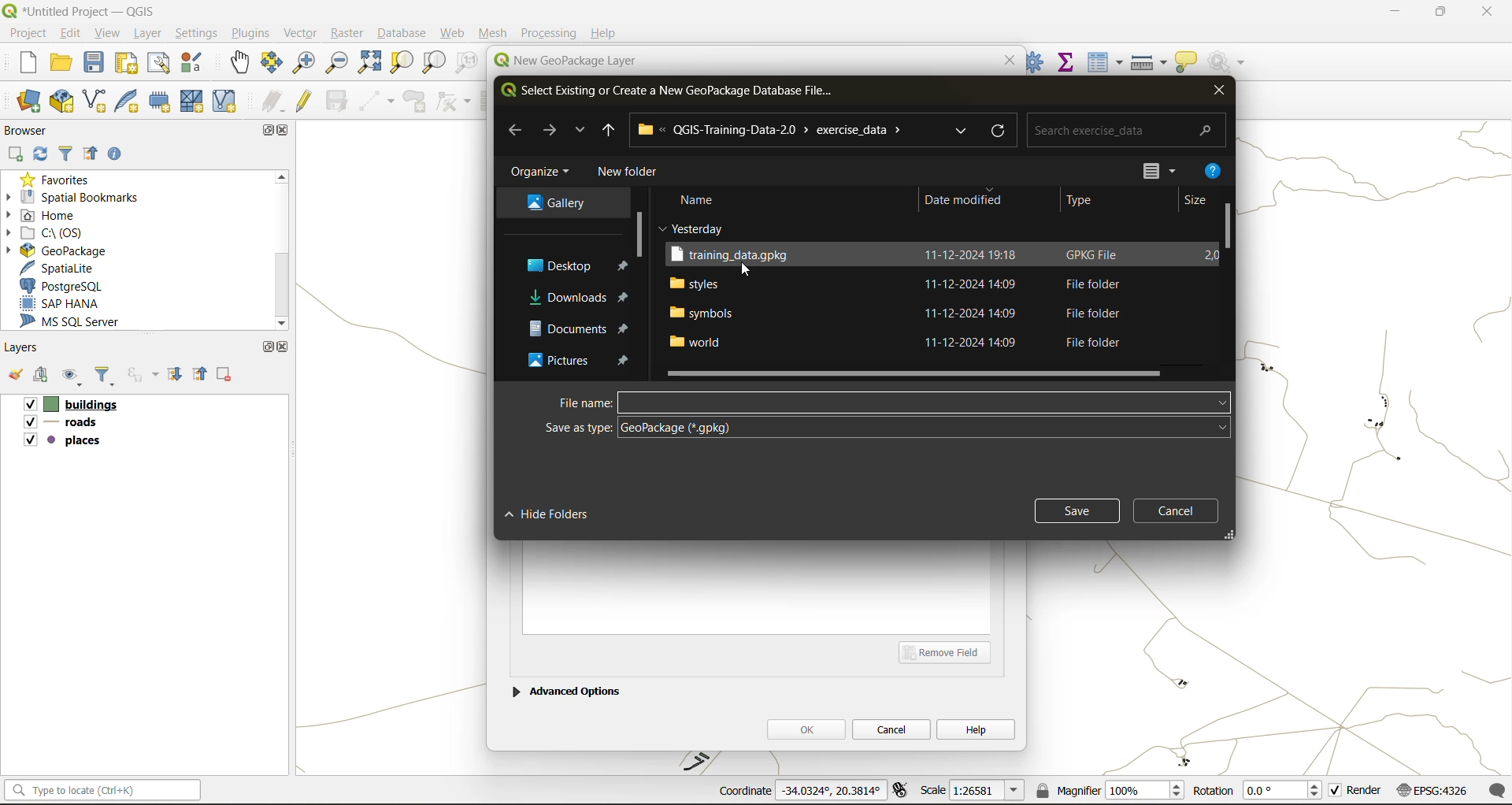 This screenshot has height=805, width=1512. Describe the element at coordinates (560, 295) in the screenshot. I see `Downloads` at that location.